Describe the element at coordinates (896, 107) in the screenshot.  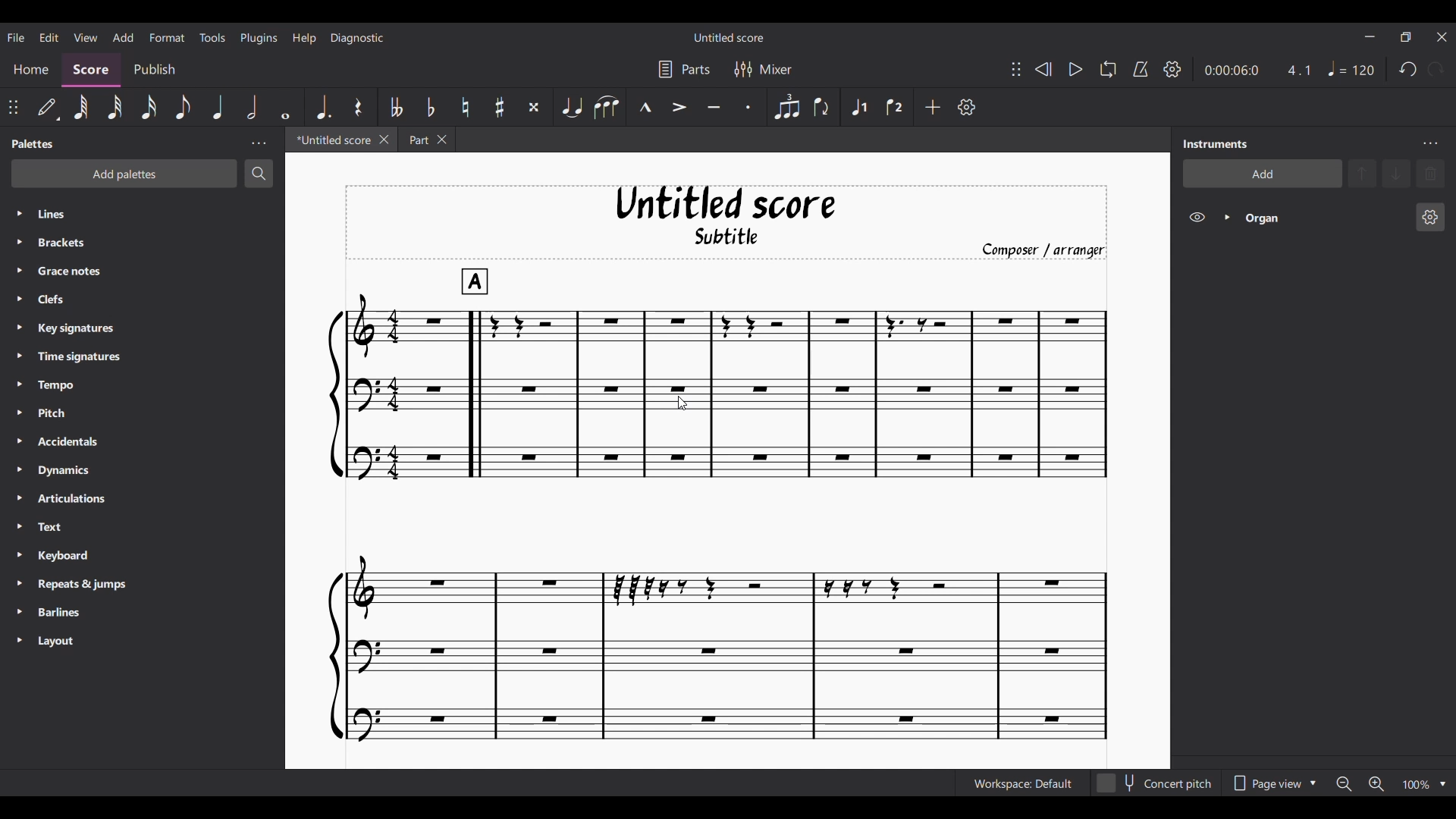
I see `Voice 2` at that location.